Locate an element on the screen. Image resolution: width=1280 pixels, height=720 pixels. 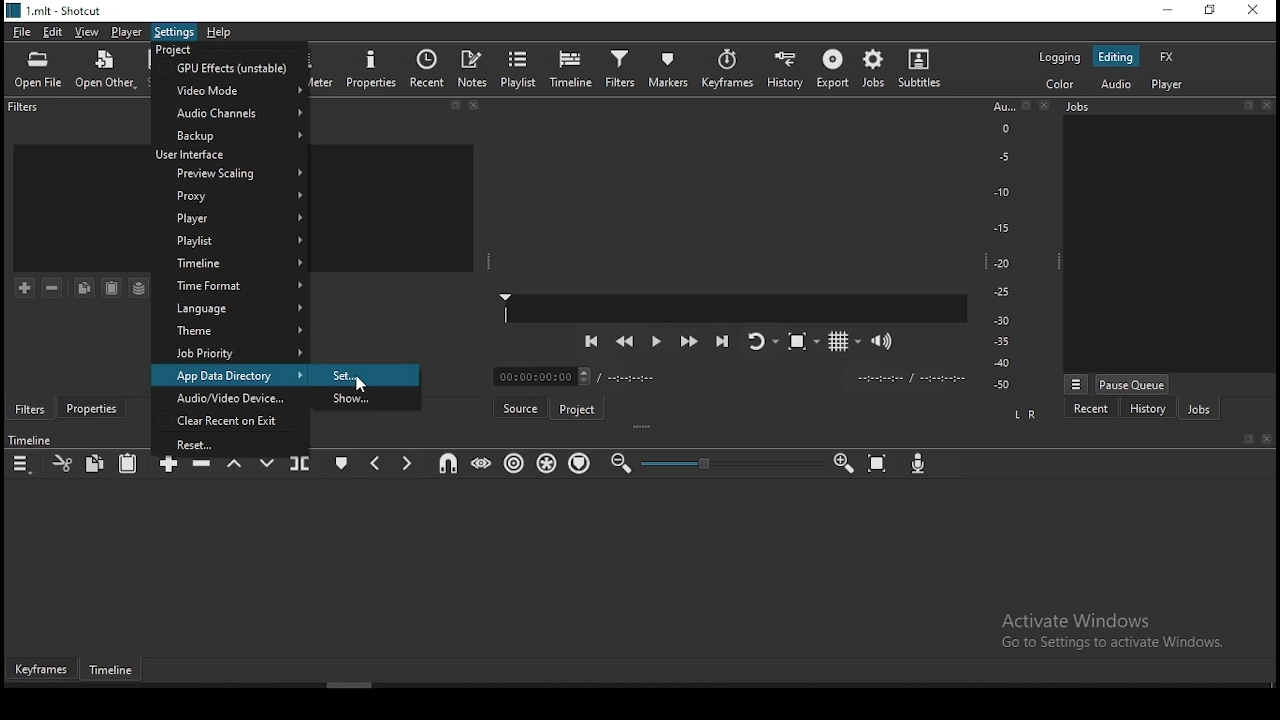
keyframes is located at coordinates (42, 670).